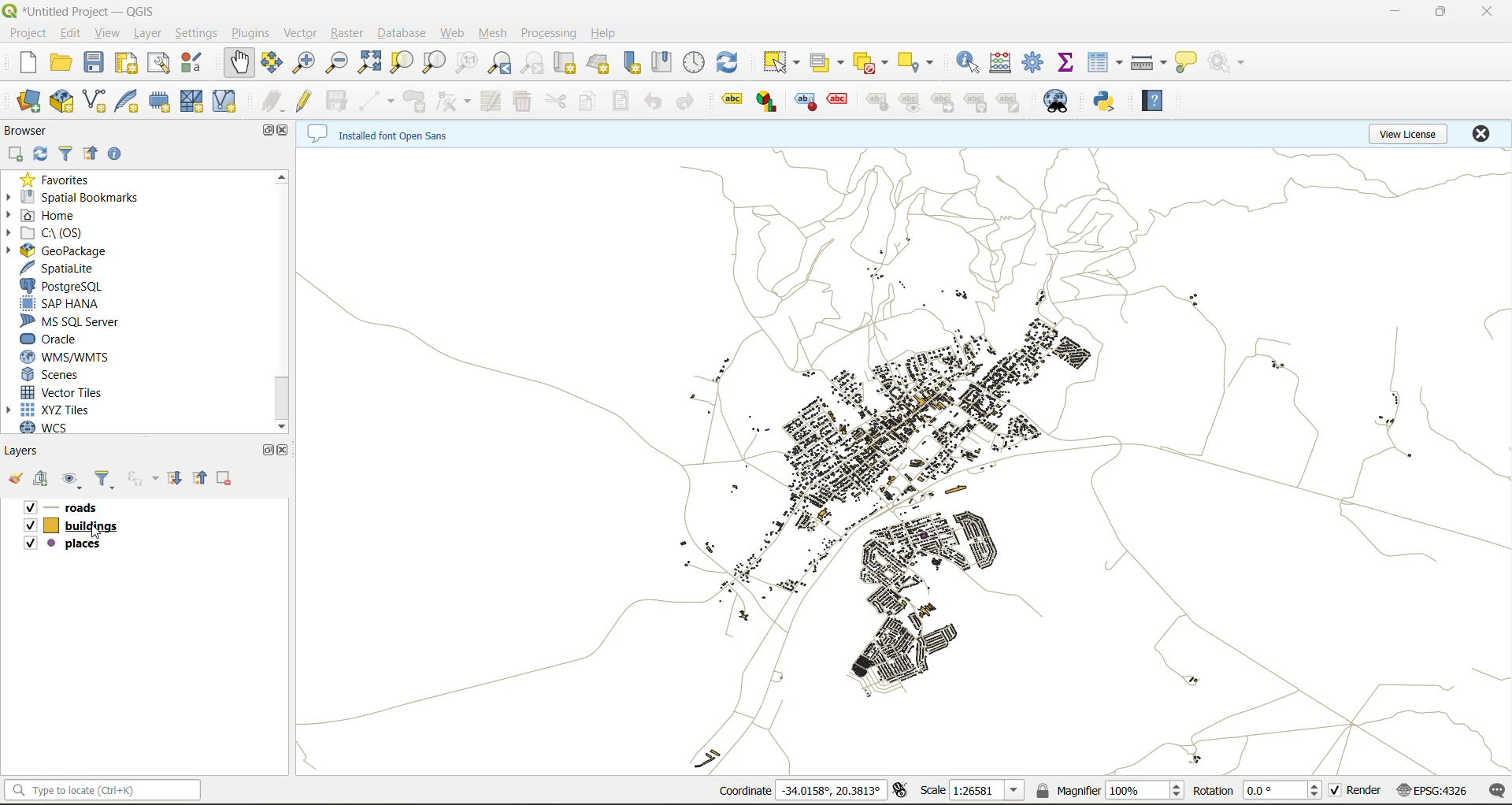  Describe the element at coordinates (105, 789) in the screenshot. I see `statusbar` at that location.